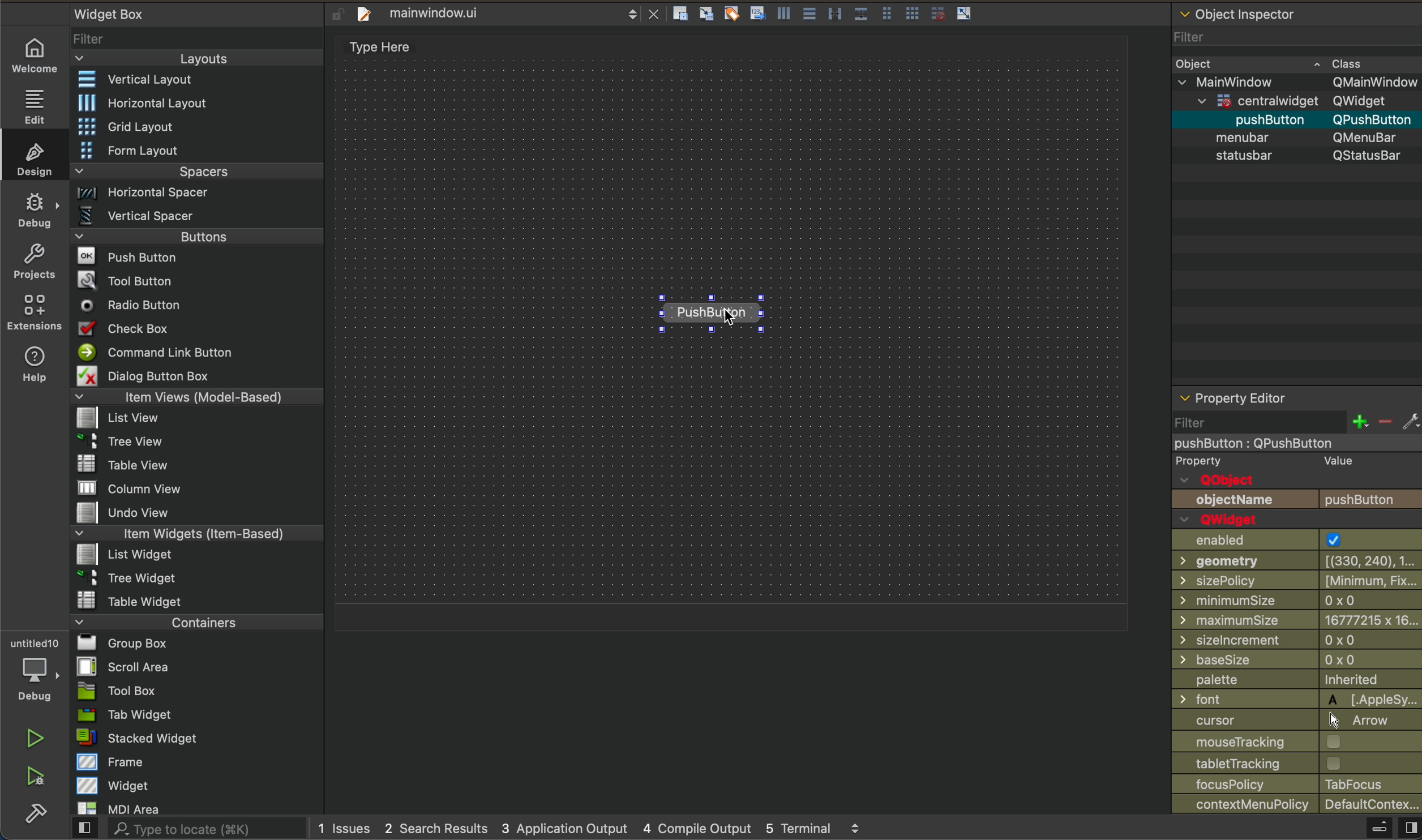 Image resolution: width=1422 pixels, height=840 pixels. What do you see at coordinates (195, 58) in the screenshot?
I see `layout` at bounding box center [195, 58].